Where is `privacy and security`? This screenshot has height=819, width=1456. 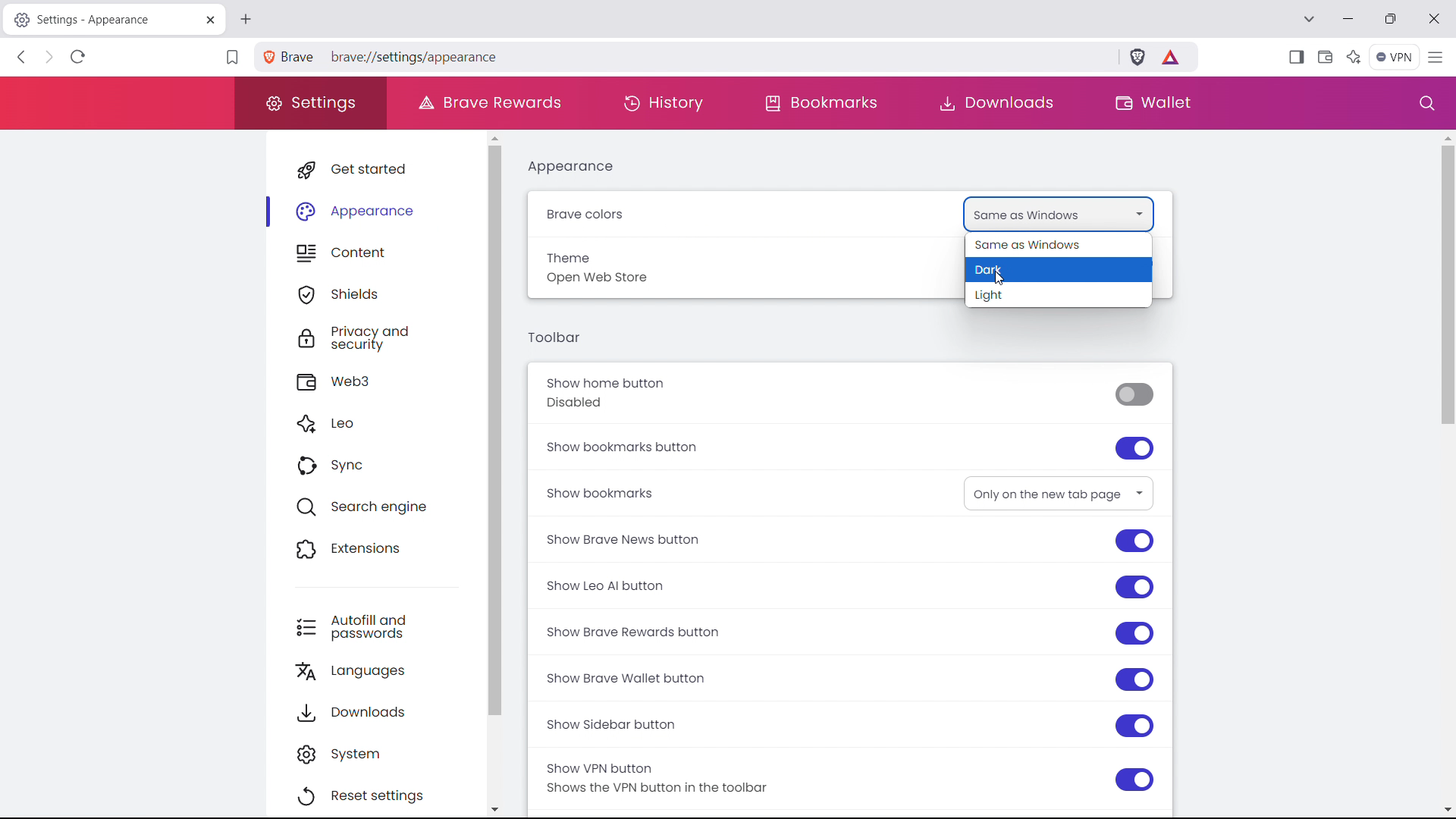
privacy and security is located at coordinates (388, 336).